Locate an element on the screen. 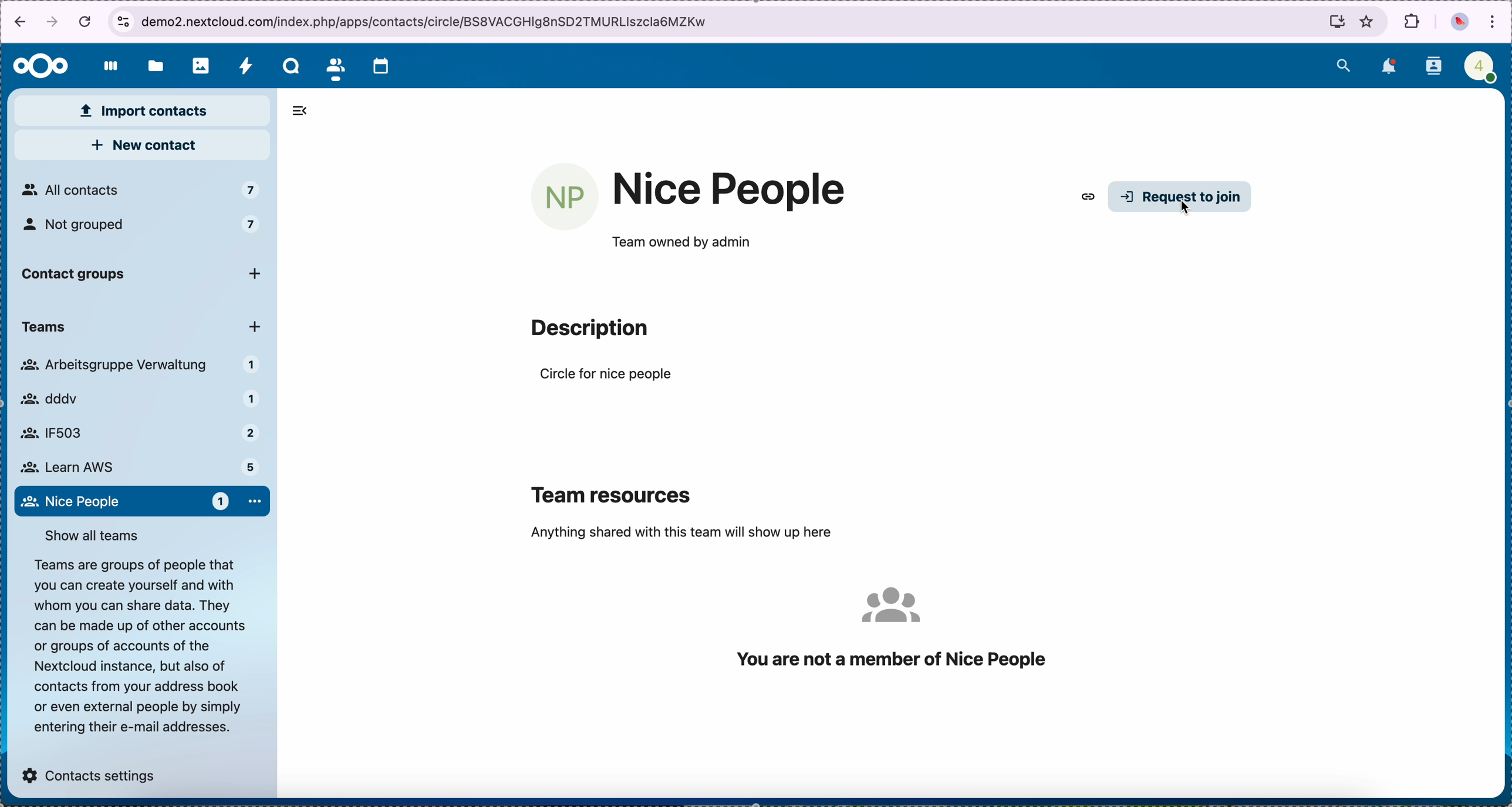 The height and width of the screenshot is (807, 1512). files is located at coordinates (153, 65).